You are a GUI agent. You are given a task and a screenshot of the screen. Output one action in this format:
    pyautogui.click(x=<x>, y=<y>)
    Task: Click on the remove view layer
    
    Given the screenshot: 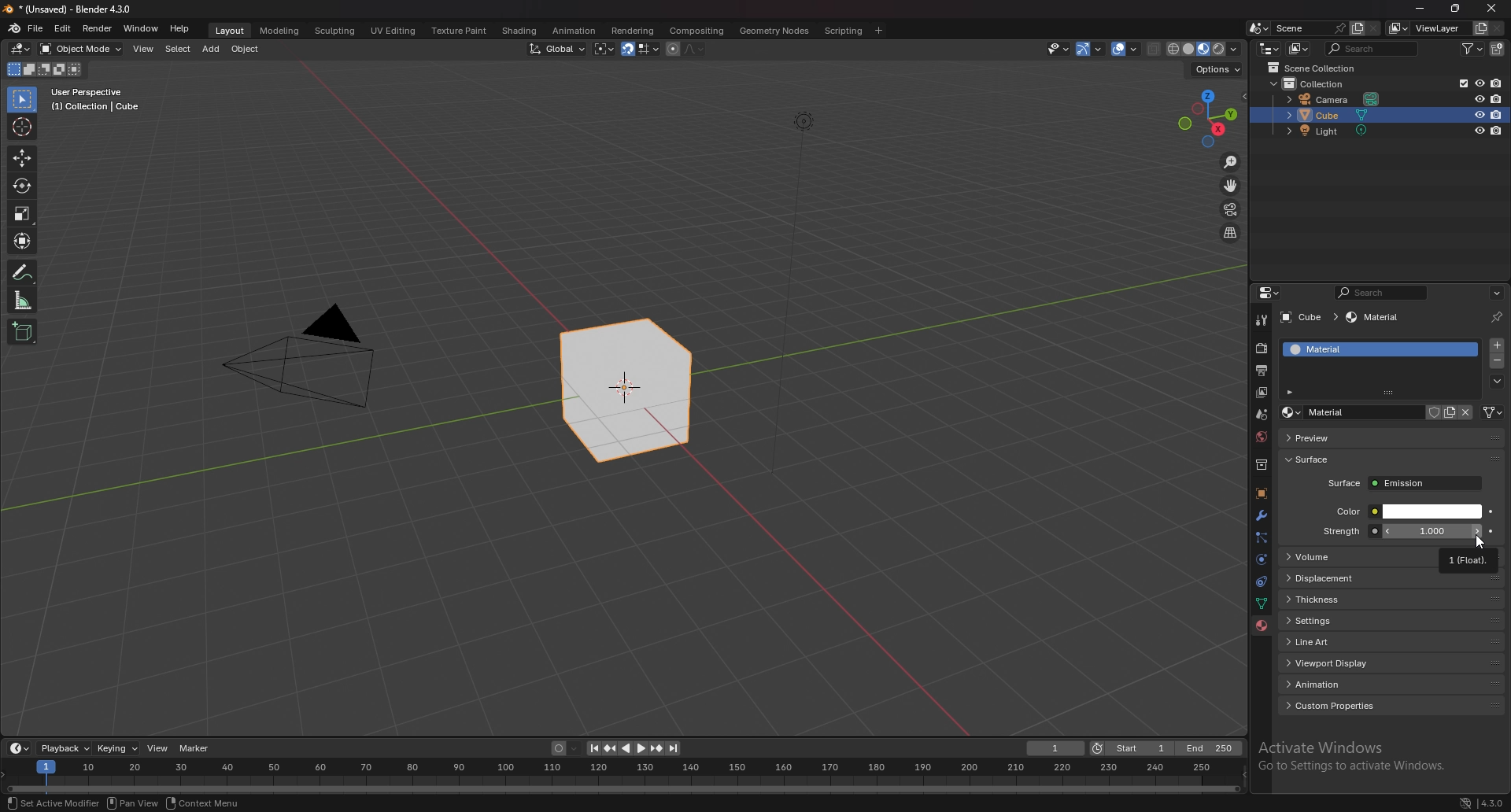 What is the action you would take?
    pyautogui.click(x=1498, y=29)
    